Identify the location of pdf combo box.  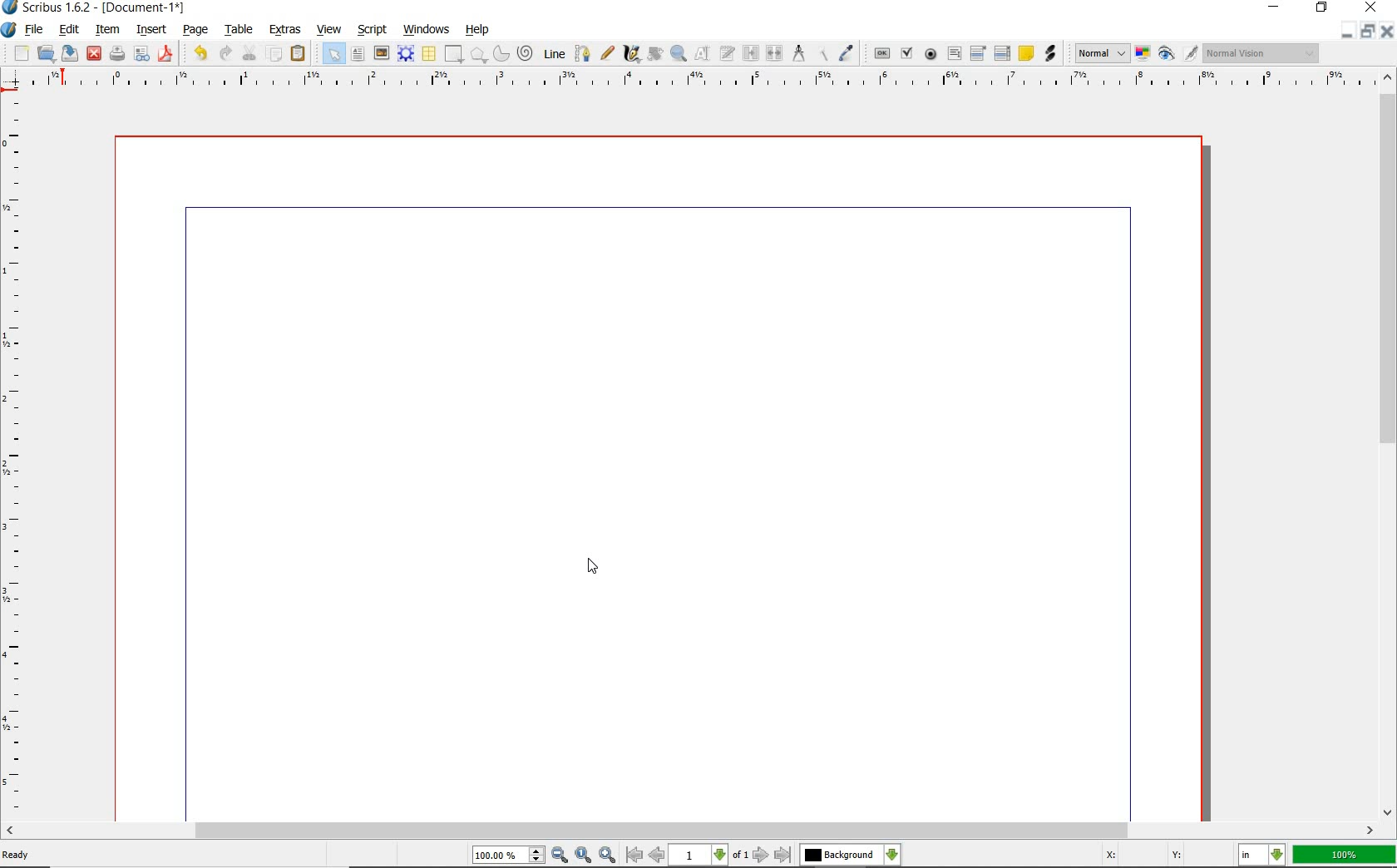
(981, 52).